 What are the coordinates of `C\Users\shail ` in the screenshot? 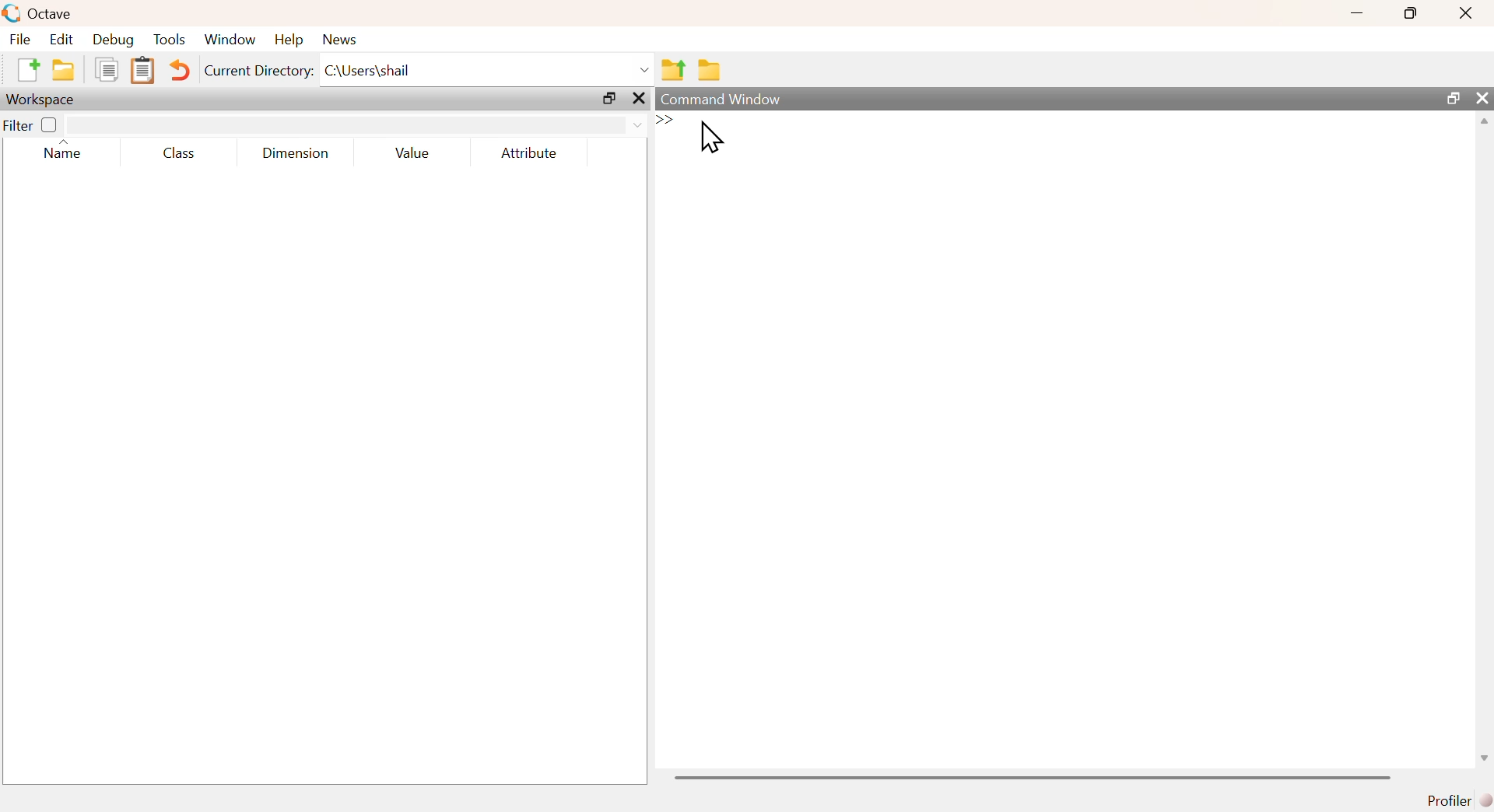 It's located at (488, 69).